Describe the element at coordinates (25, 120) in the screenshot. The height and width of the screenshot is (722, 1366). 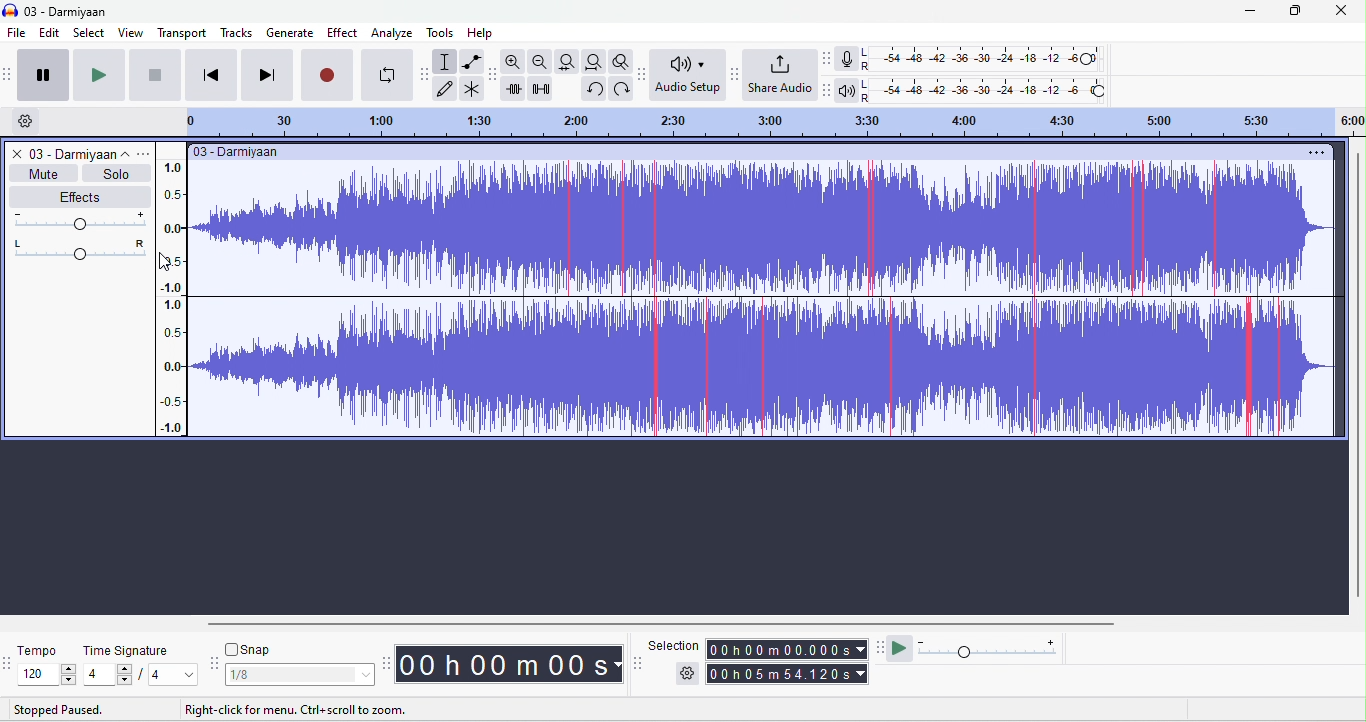
I see `timeline options` at that location.